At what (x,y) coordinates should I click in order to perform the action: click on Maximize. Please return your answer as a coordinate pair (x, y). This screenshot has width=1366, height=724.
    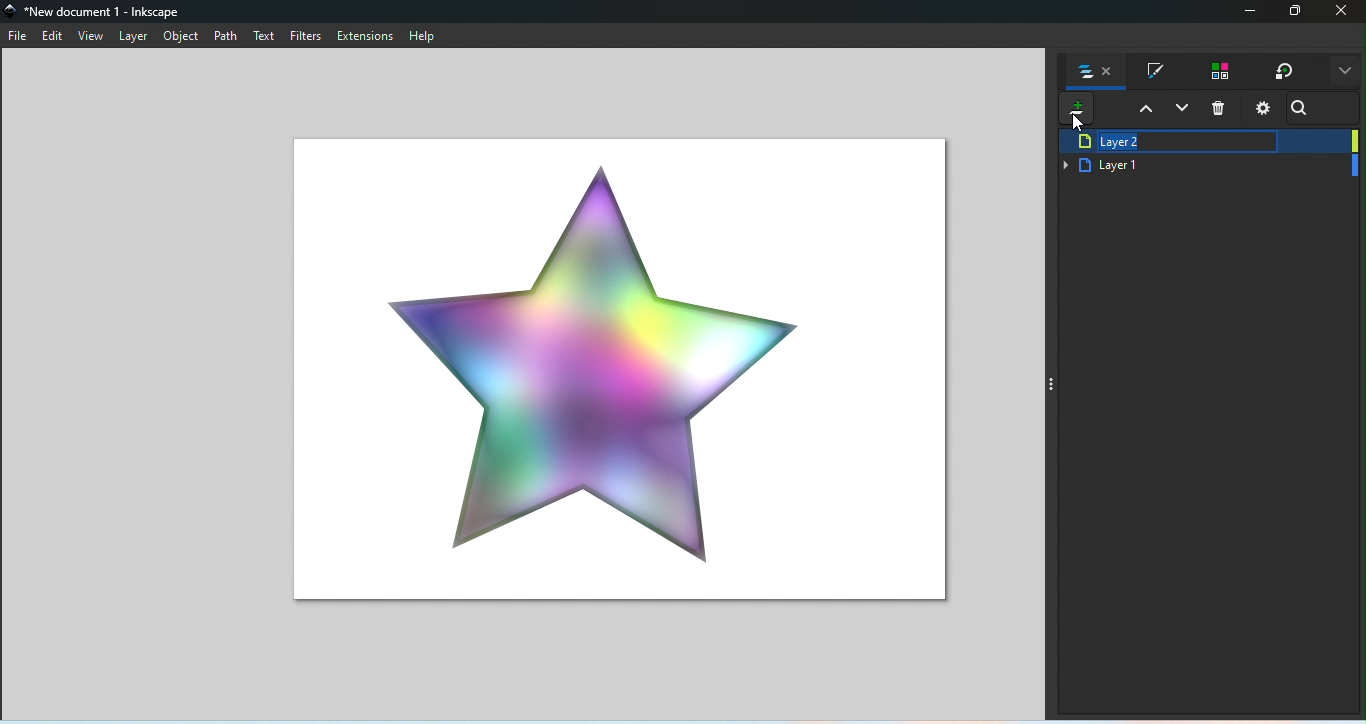
    Looking at the image, I should click on (1297, 13).